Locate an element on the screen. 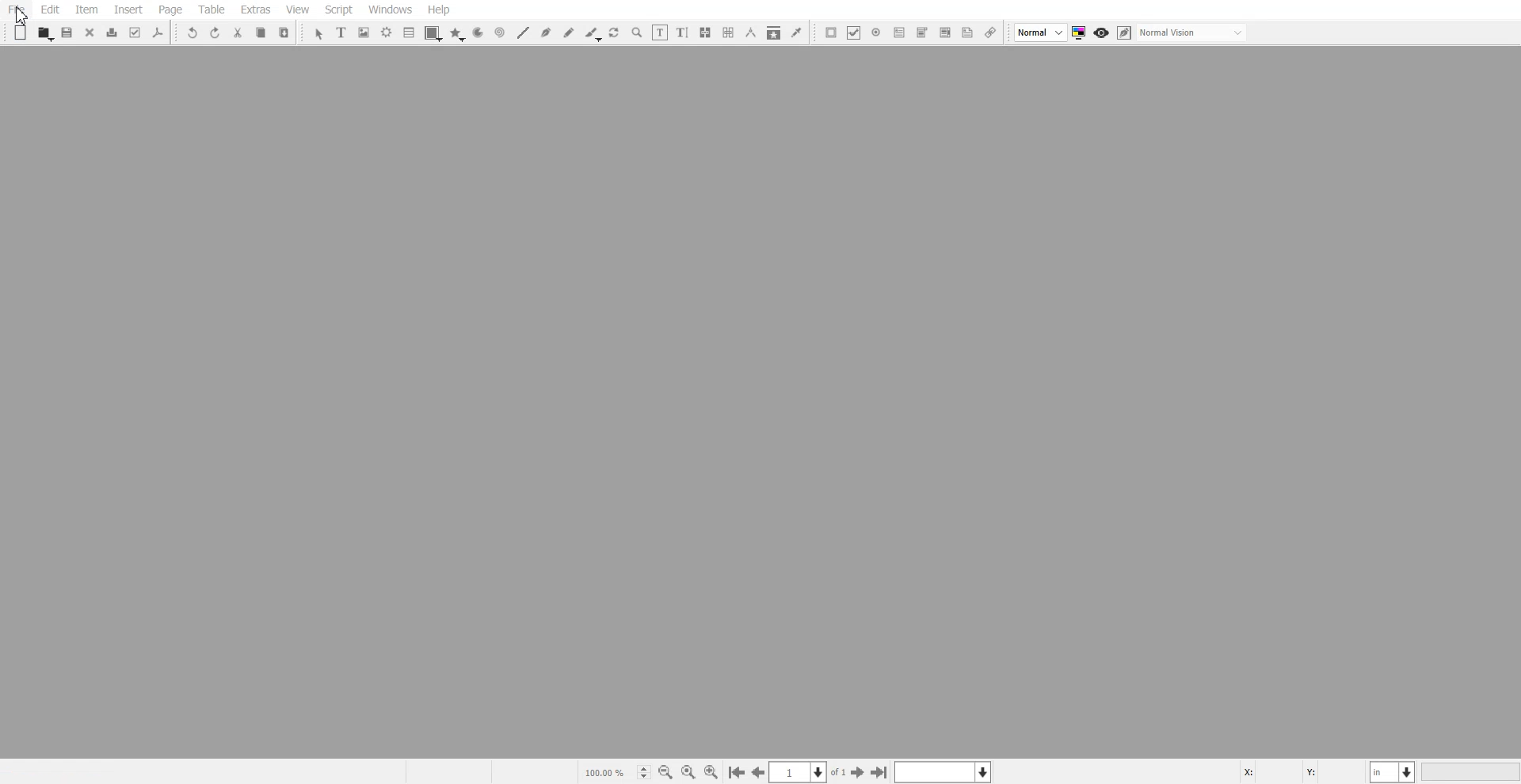  Save as PDF is located at coordinates (158, 32).